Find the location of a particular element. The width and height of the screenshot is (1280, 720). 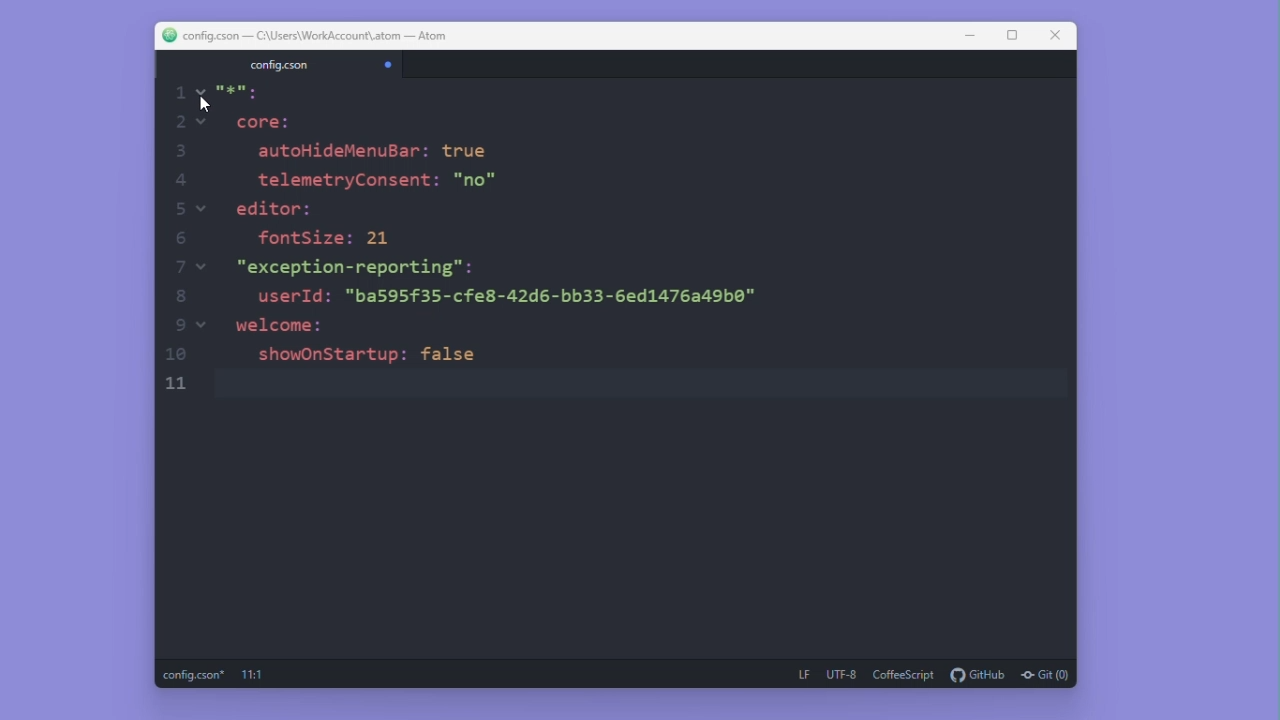

LF is located at coordinates (804, 672).